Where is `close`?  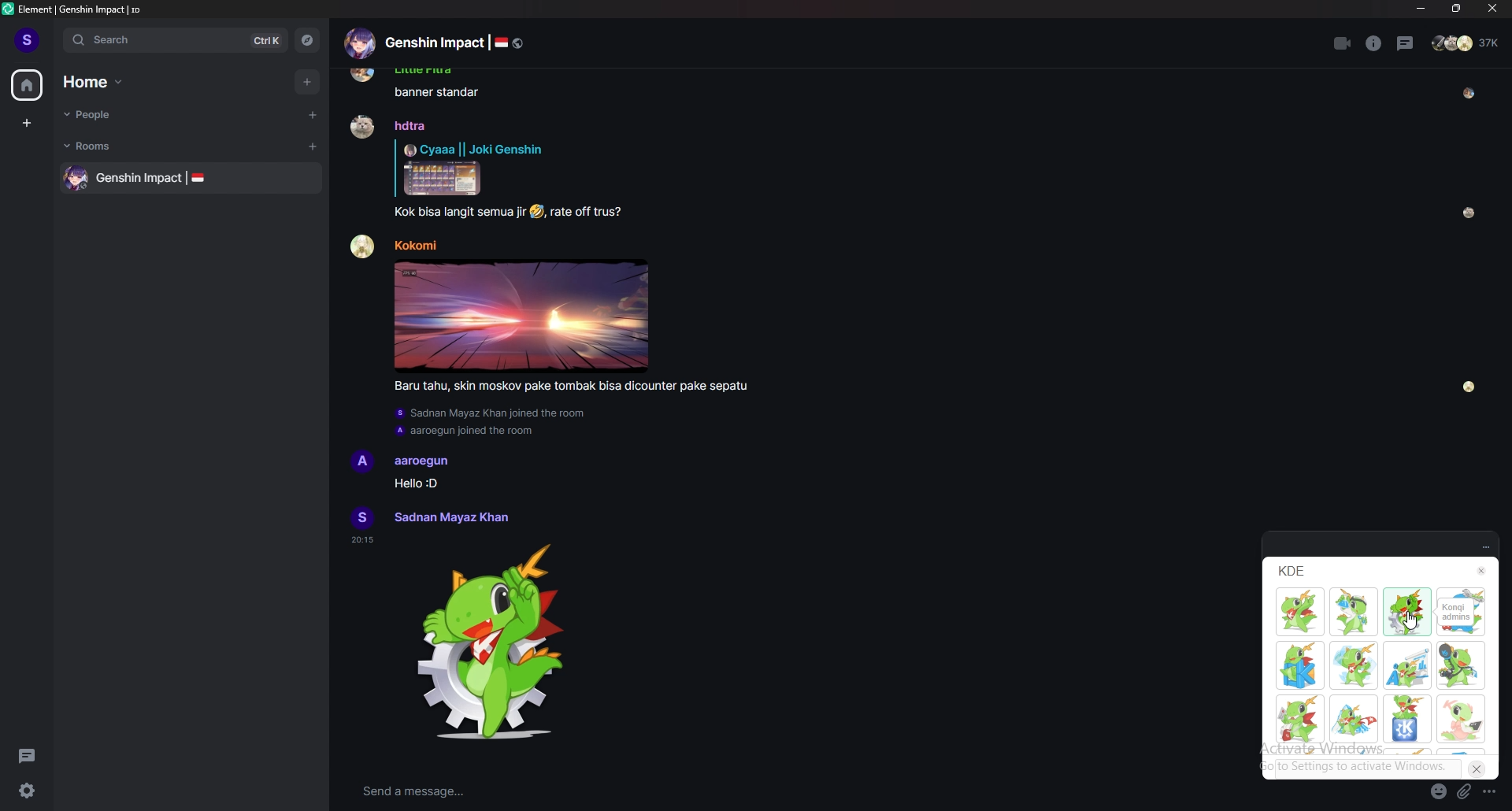
close is located at coordinates (1482, 571).